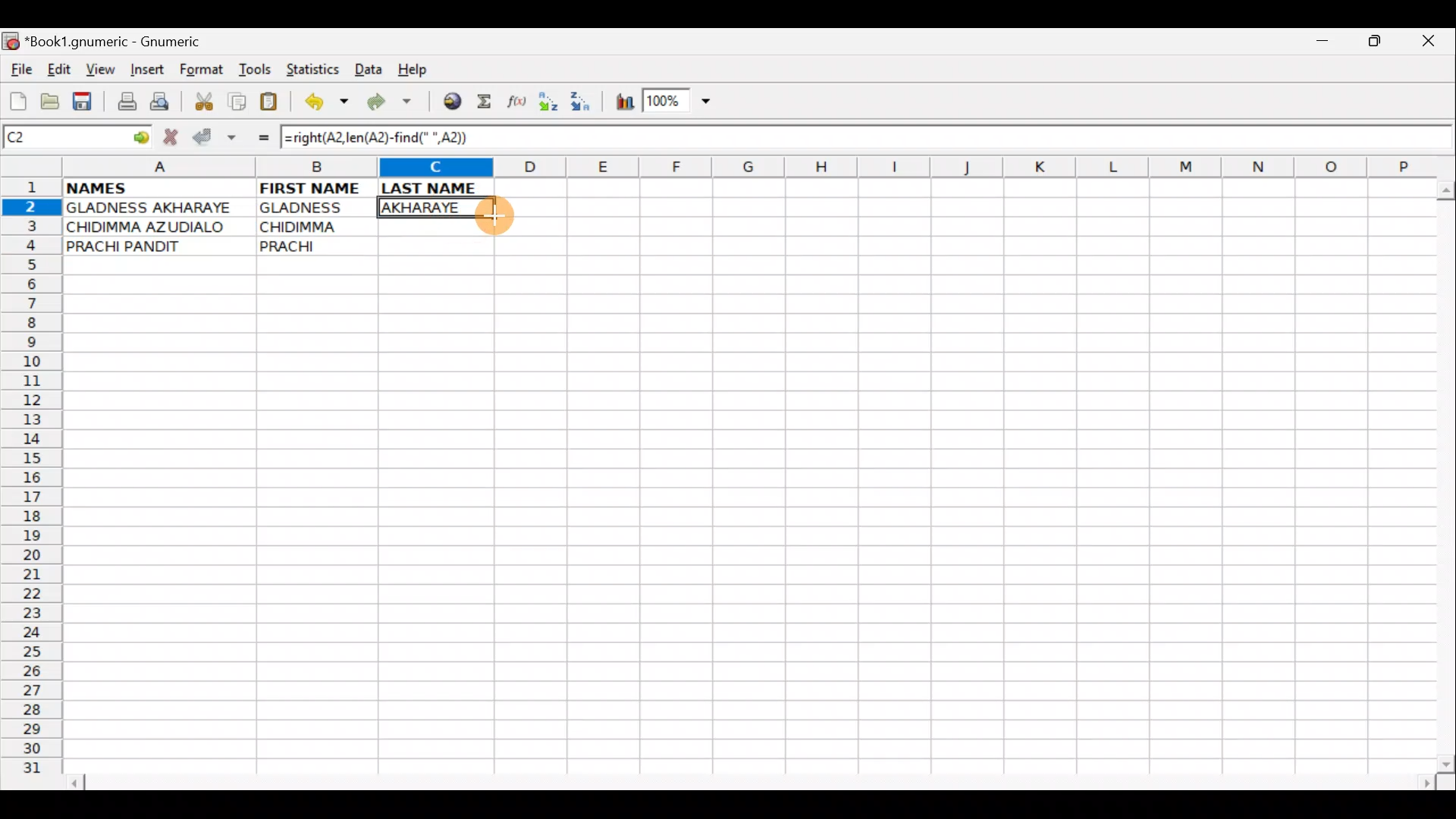  I want to click on Tools, so click(256, 70).